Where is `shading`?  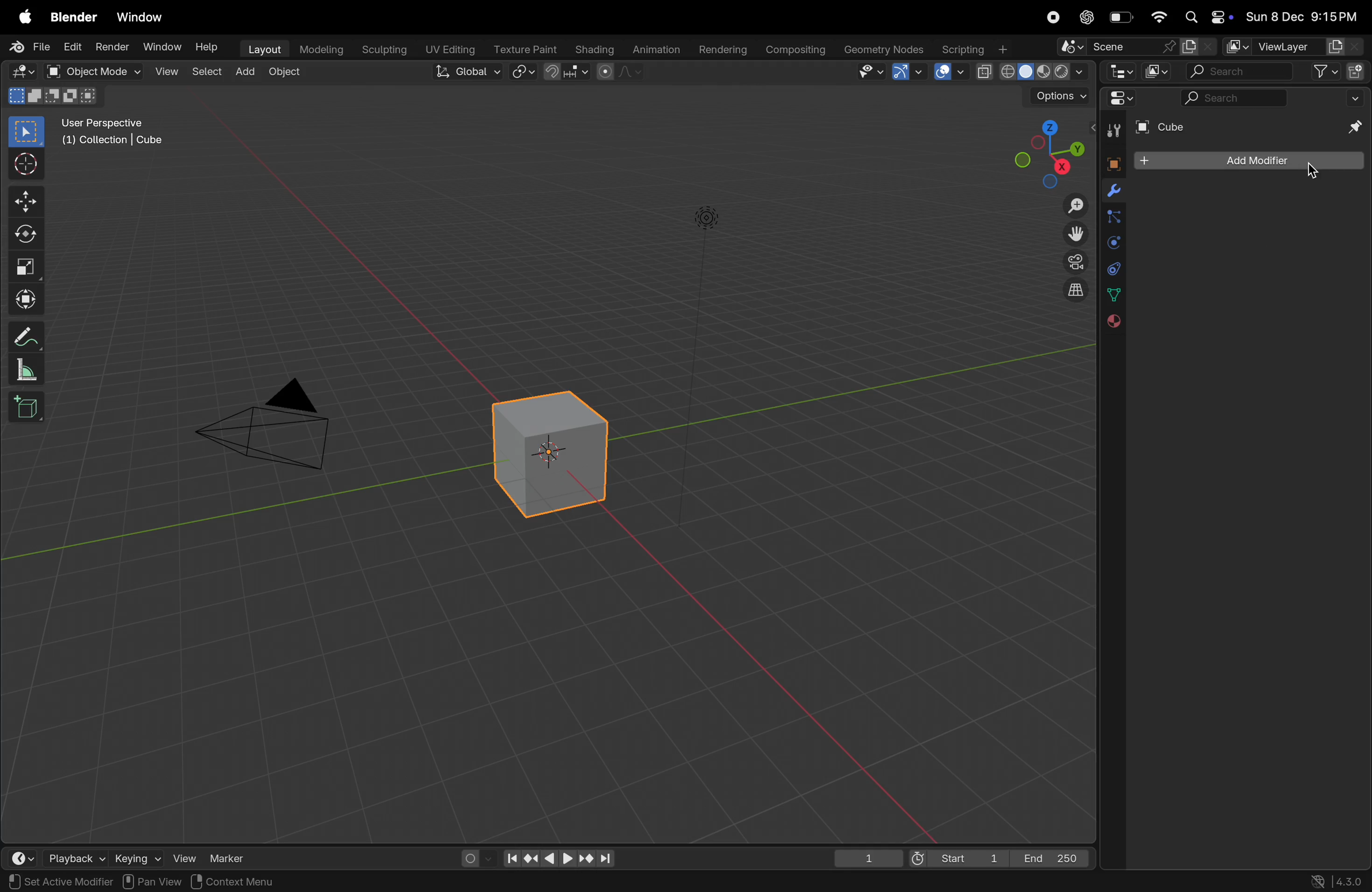 shading is located at coordinates (591, 47).